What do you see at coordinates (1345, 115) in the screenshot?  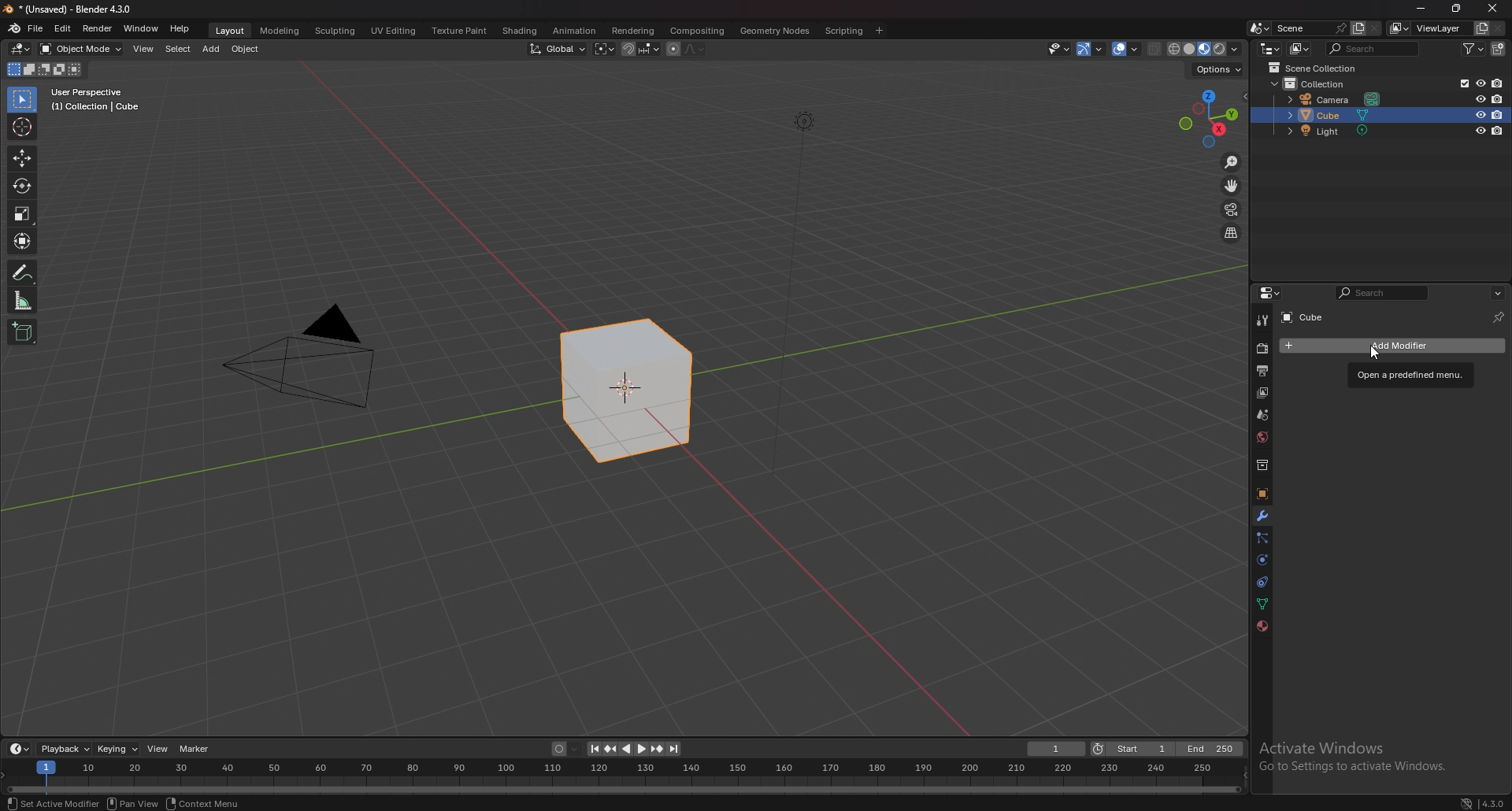 I see `cube` at bounding box center [1345, 115].